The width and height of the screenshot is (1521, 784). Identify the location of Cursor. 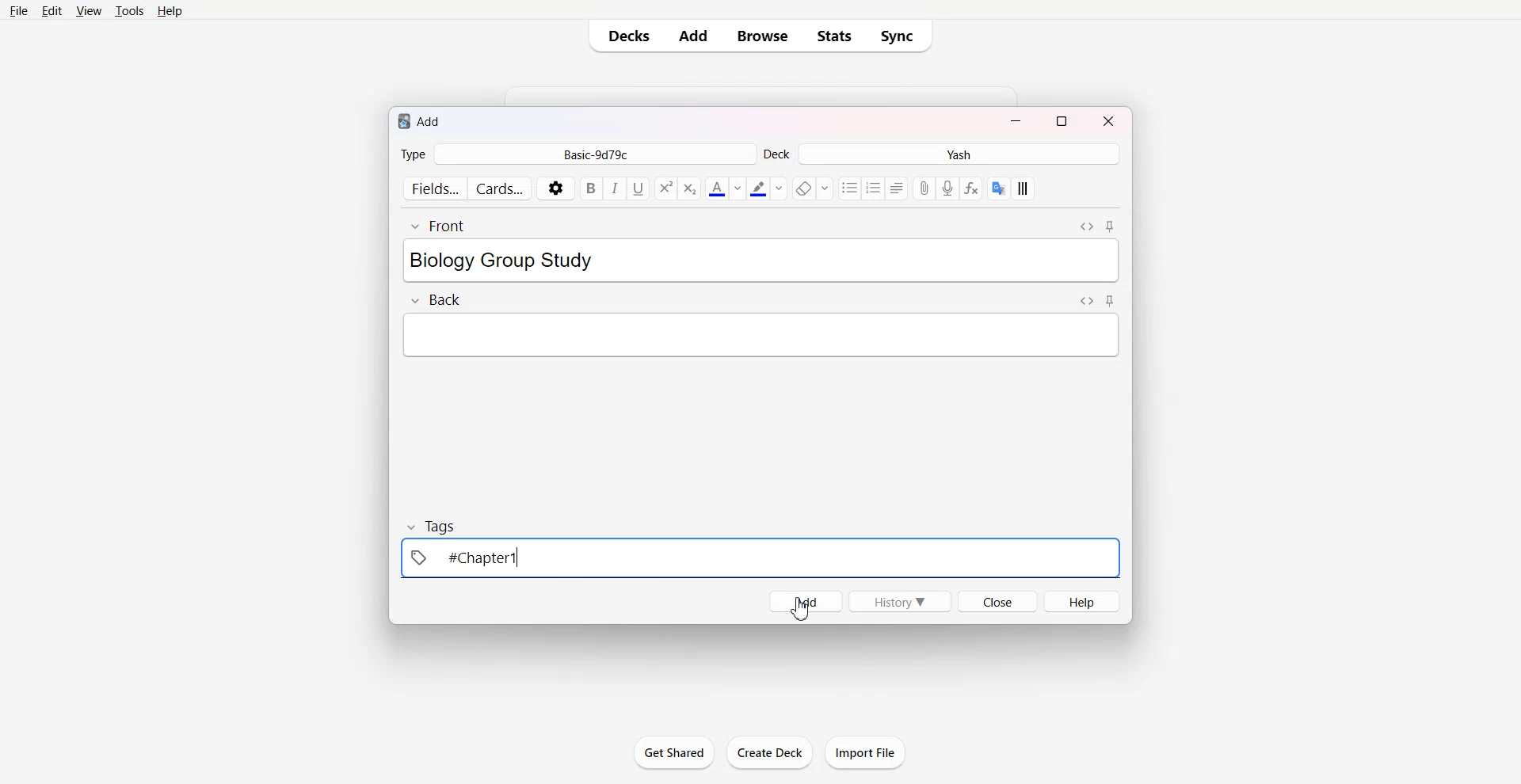
(800, 608).